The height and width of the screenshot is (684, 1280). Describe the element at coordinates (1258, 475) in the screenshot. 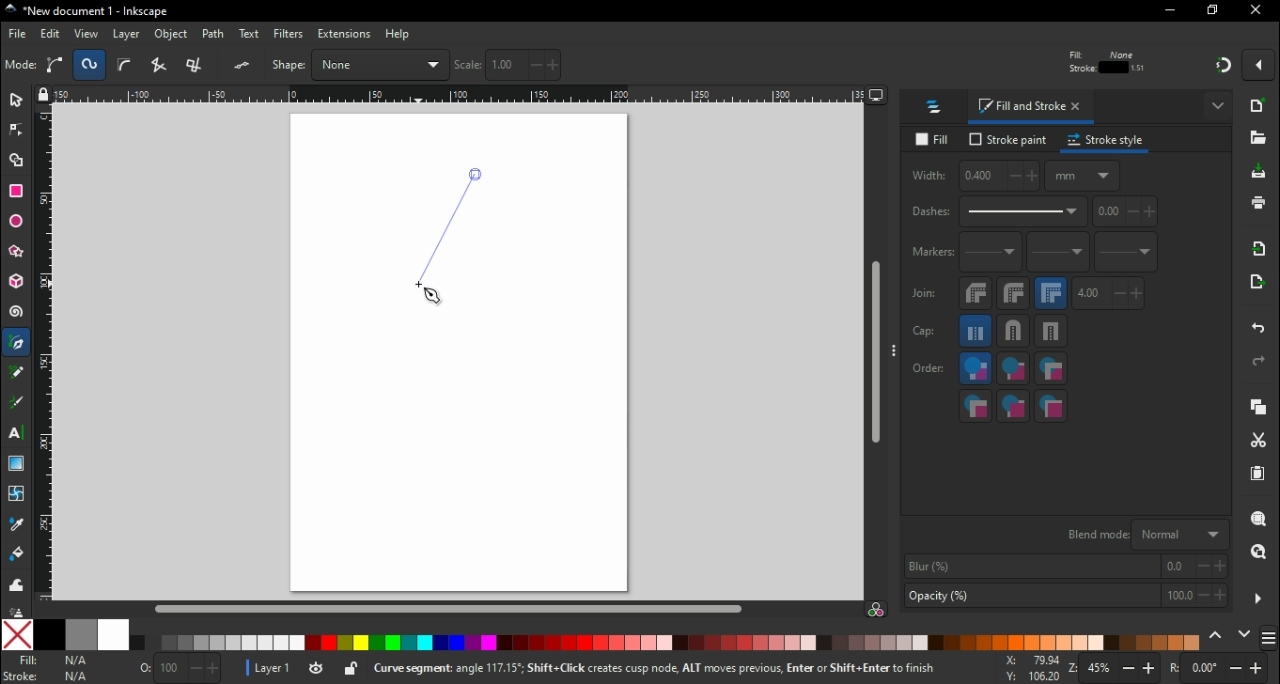

I see `paste` at that location.